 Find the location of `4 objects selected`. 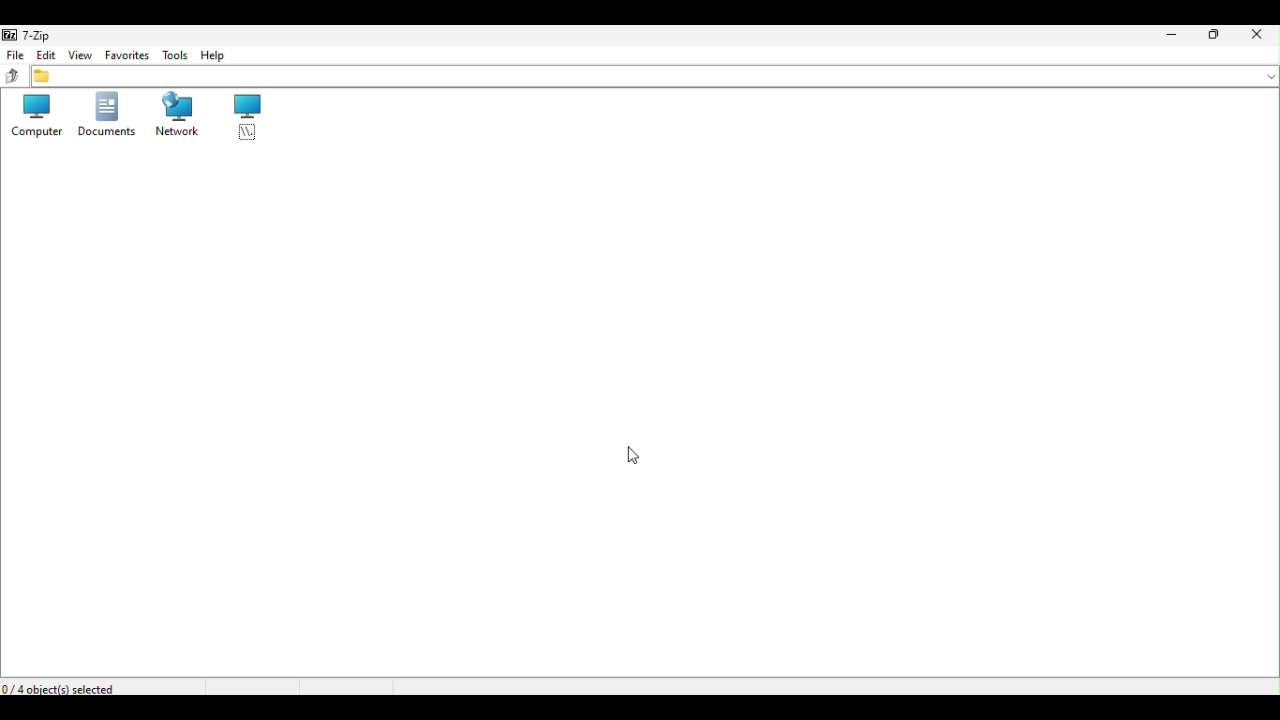

4 objects selected is located at coordinates (62, 687).